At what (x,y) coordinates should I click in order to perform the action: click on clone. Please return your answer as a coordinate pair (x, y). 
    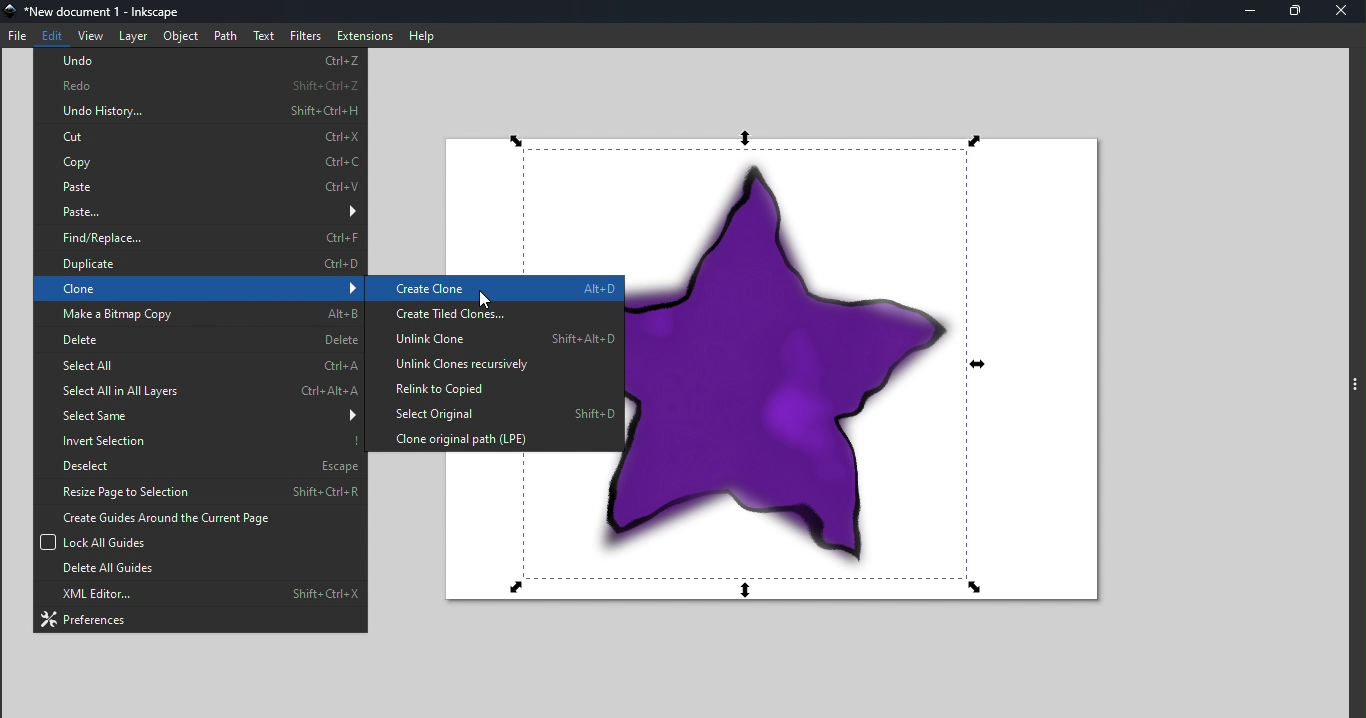
    Looking at the image, I should click on (198, 289).